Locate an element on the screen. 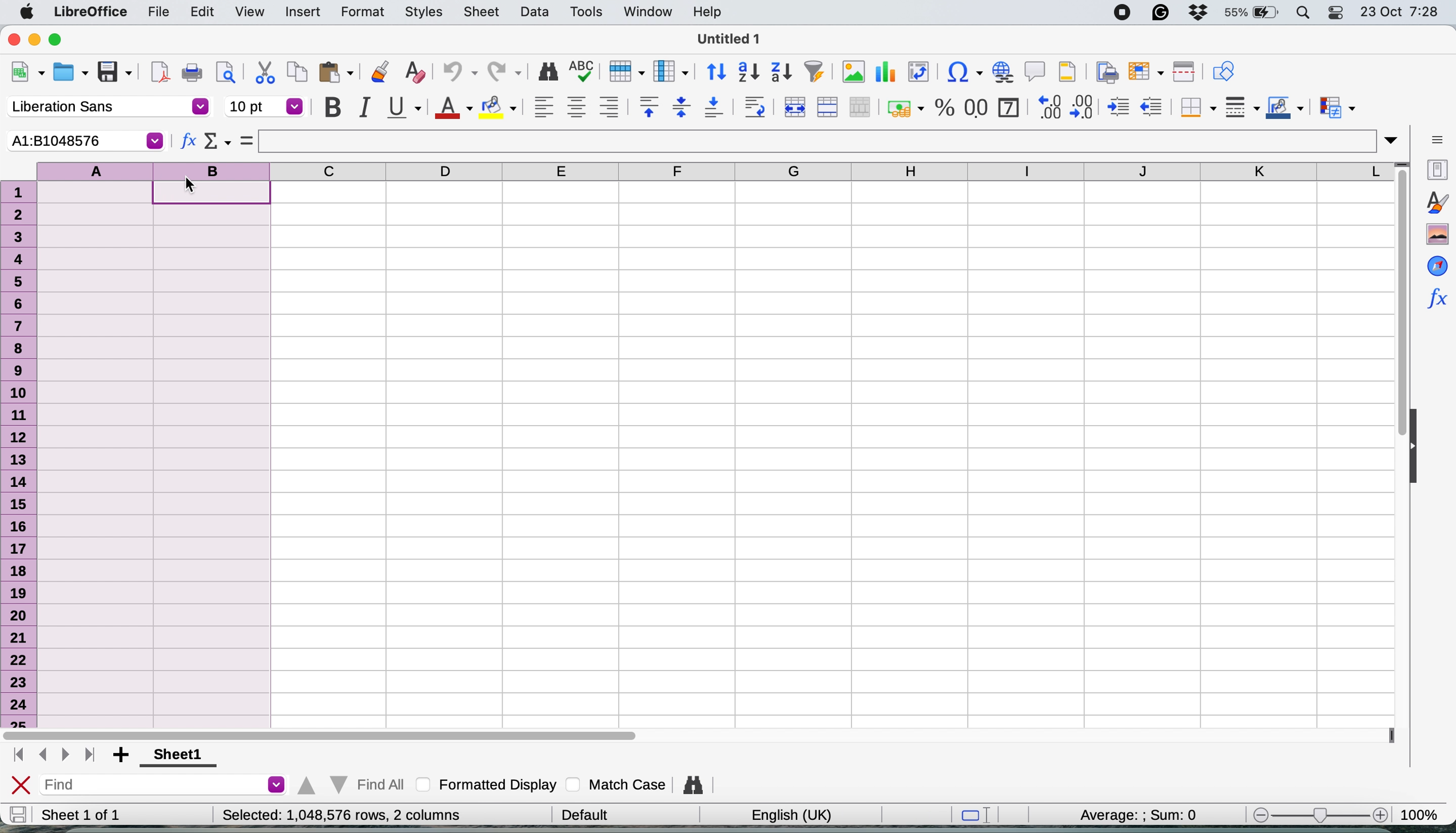 This screenshot has height=833, width=1456. increase indent is located at coordinates (1117, 106).